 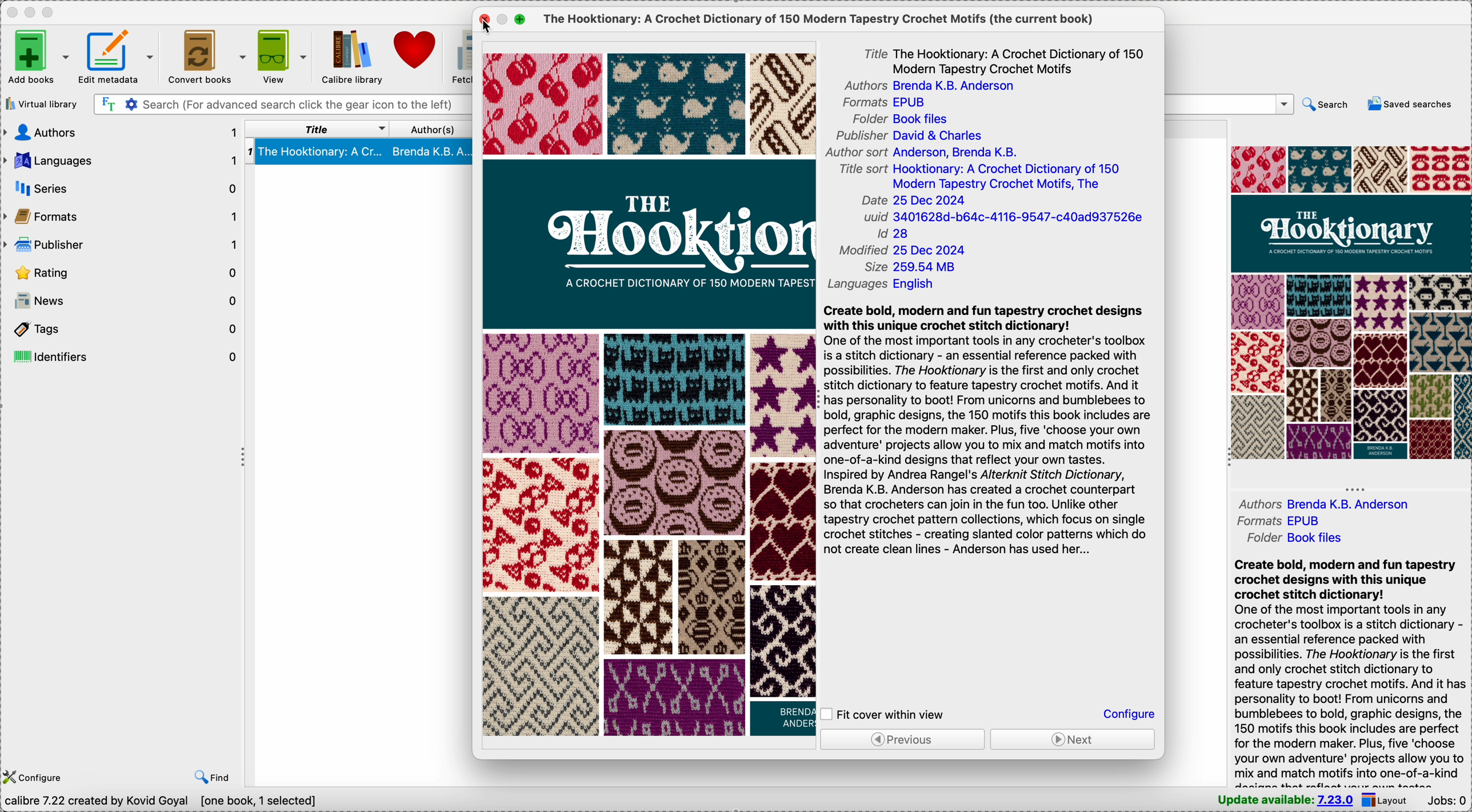 What do you see at coordinates (1298, 539) in the screenshot?
I see `folder` at bounding box center [1298, 539].